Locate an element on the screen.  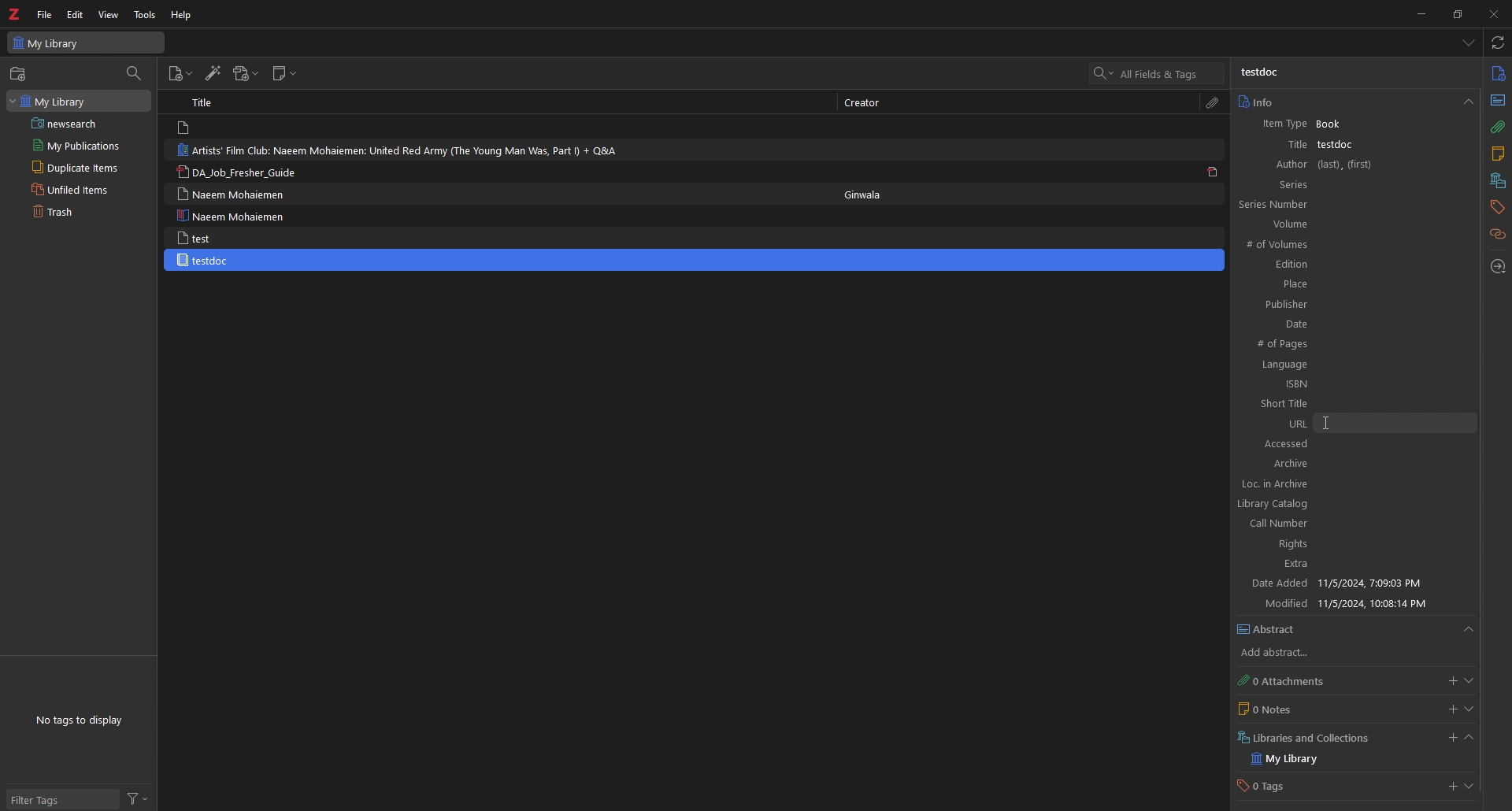
file is located at coordinates (45, 15).